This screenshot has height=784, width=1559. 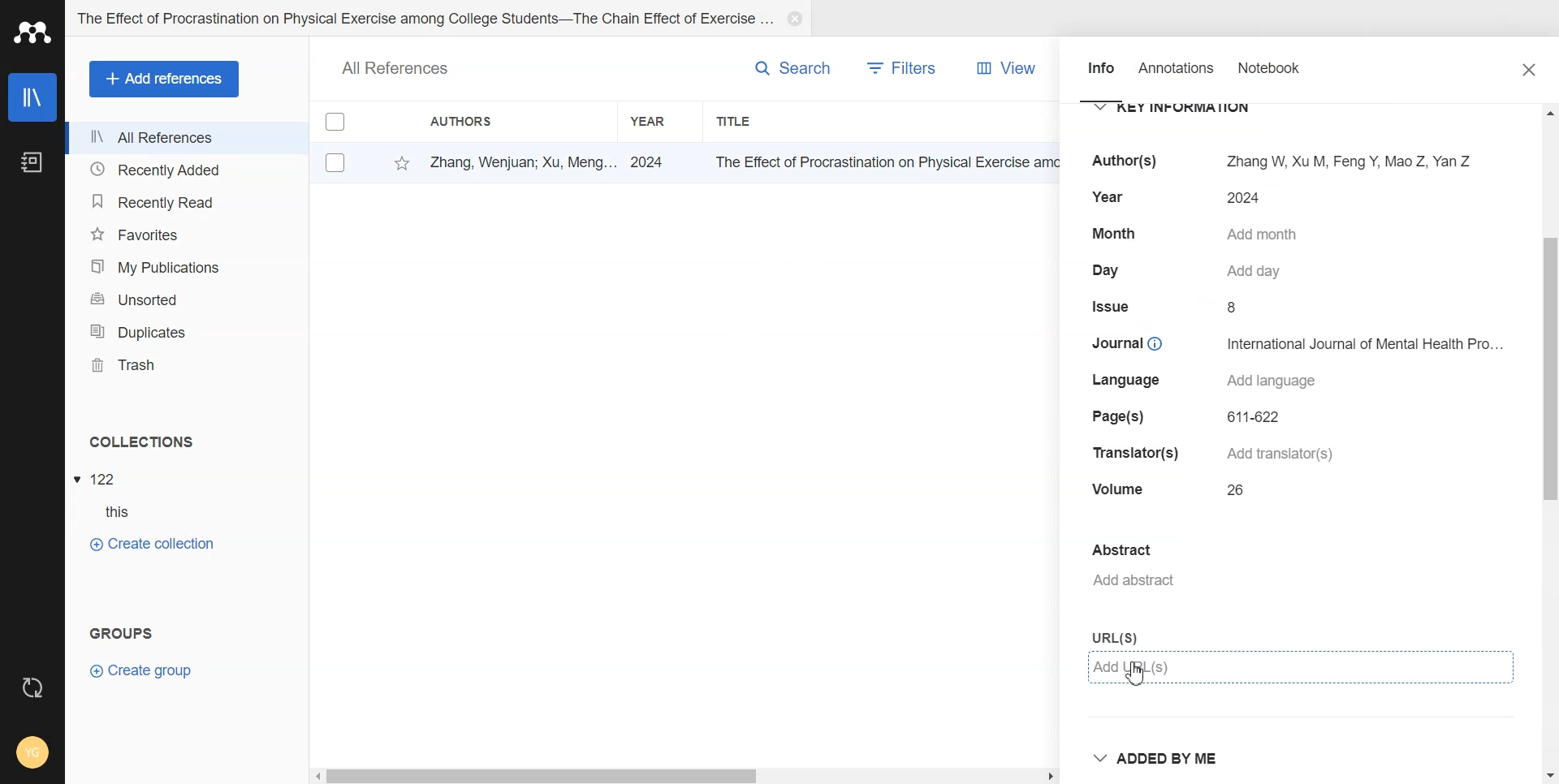 I want to click on Close, so click(x=1531, y=70).